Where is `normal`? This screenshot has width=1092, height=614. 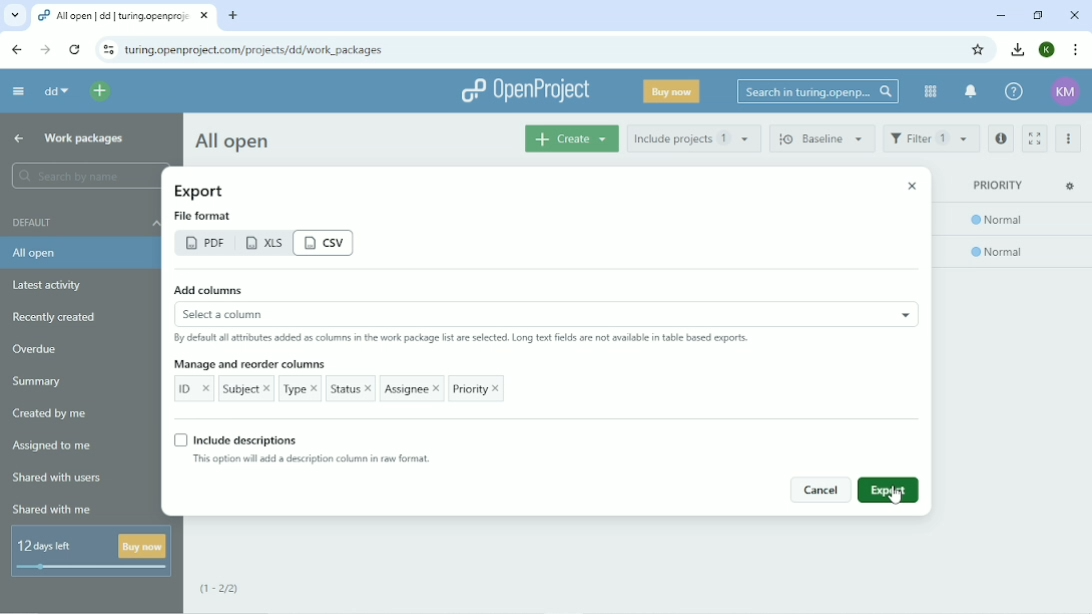
normal is located at coordinates (1009, 220).